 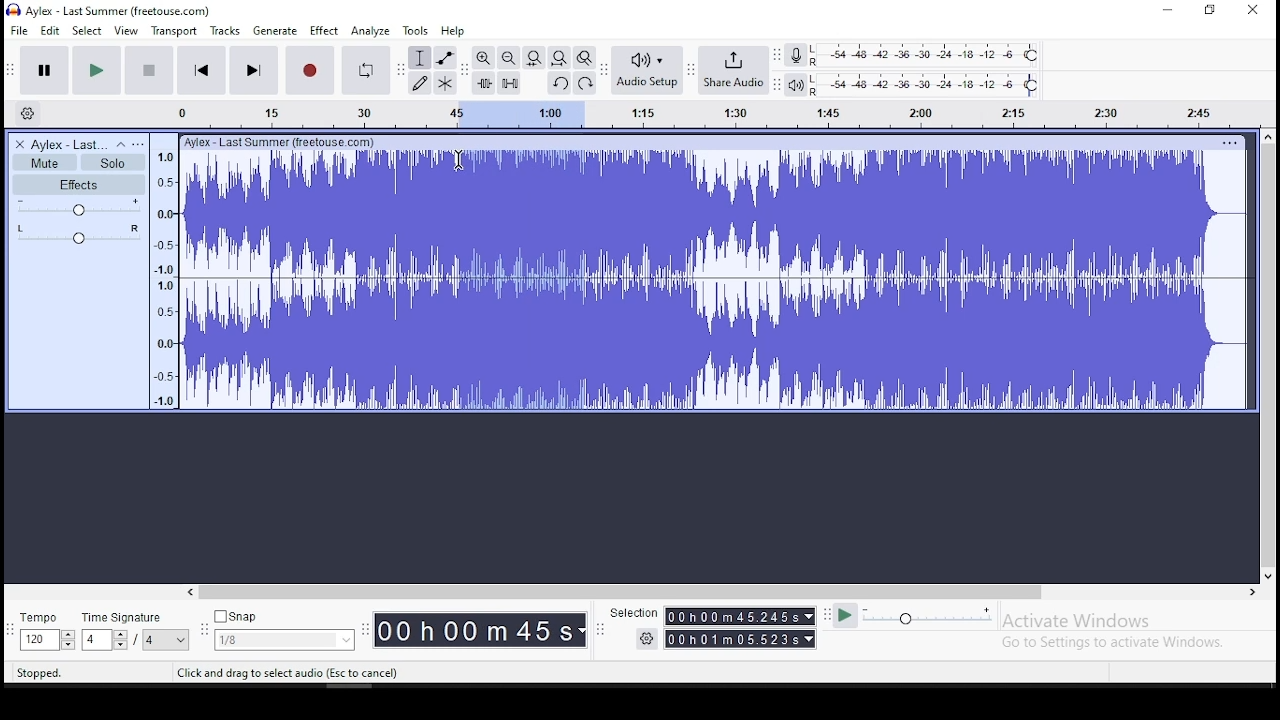 What do you see at coordinates (559, 57) in the screenshot?
I see `fit project to width` at bounding box center [559, 57].